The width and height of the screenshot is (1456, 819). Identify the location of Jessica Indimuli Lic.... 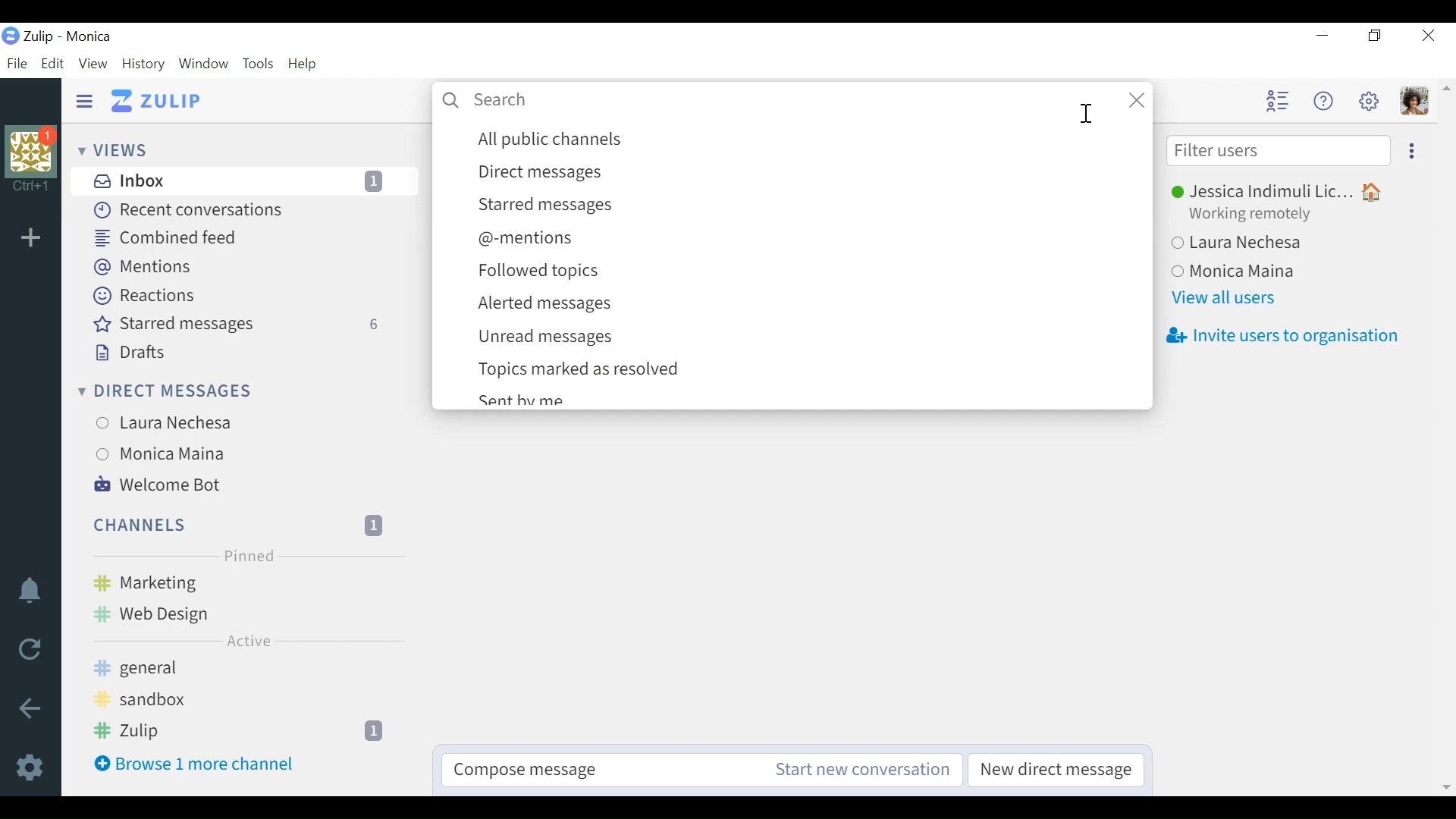
(1289, 189).